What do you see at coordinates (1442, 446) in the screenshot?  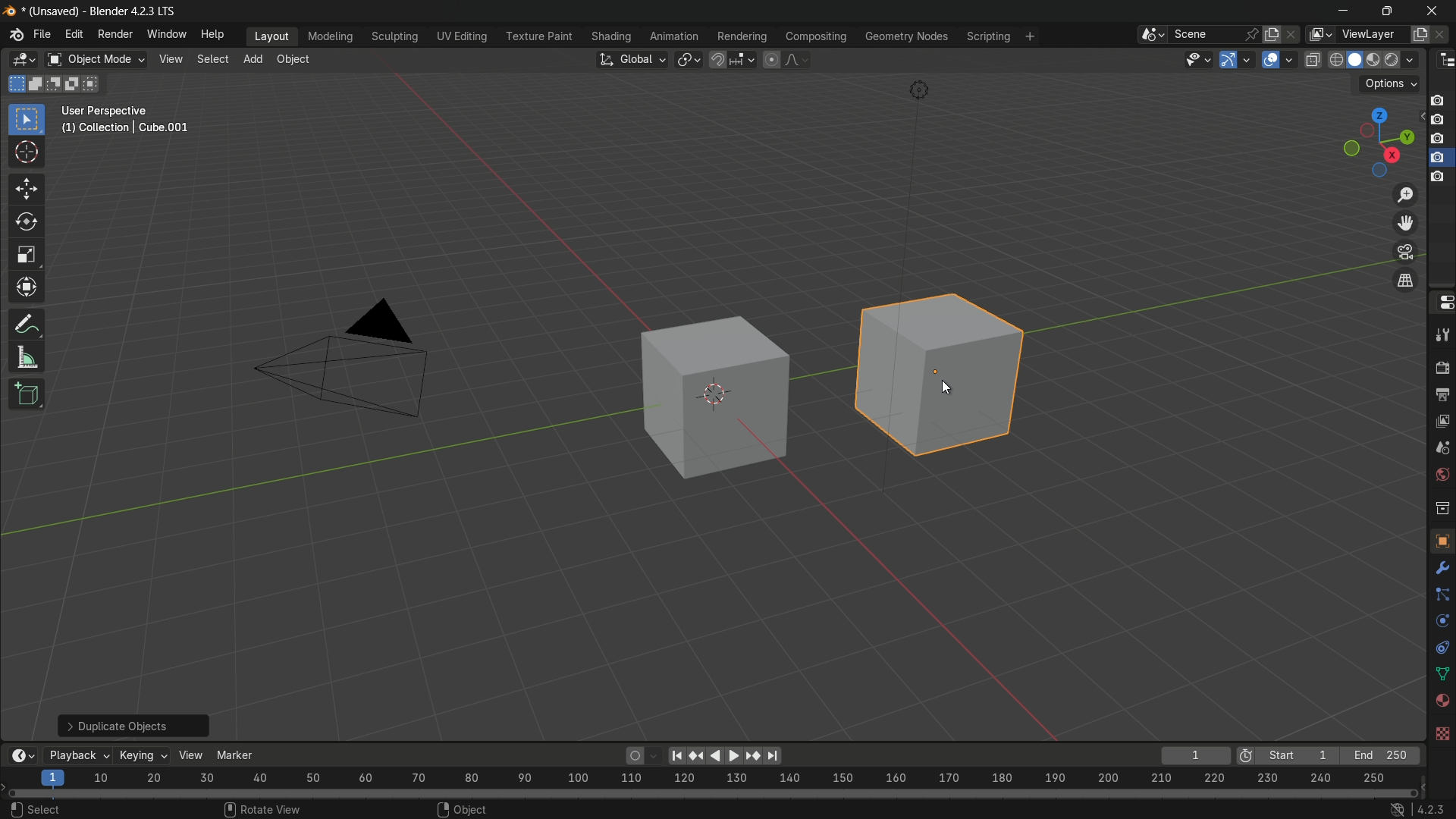 I see `scene` at bounding box center [1442, 446].